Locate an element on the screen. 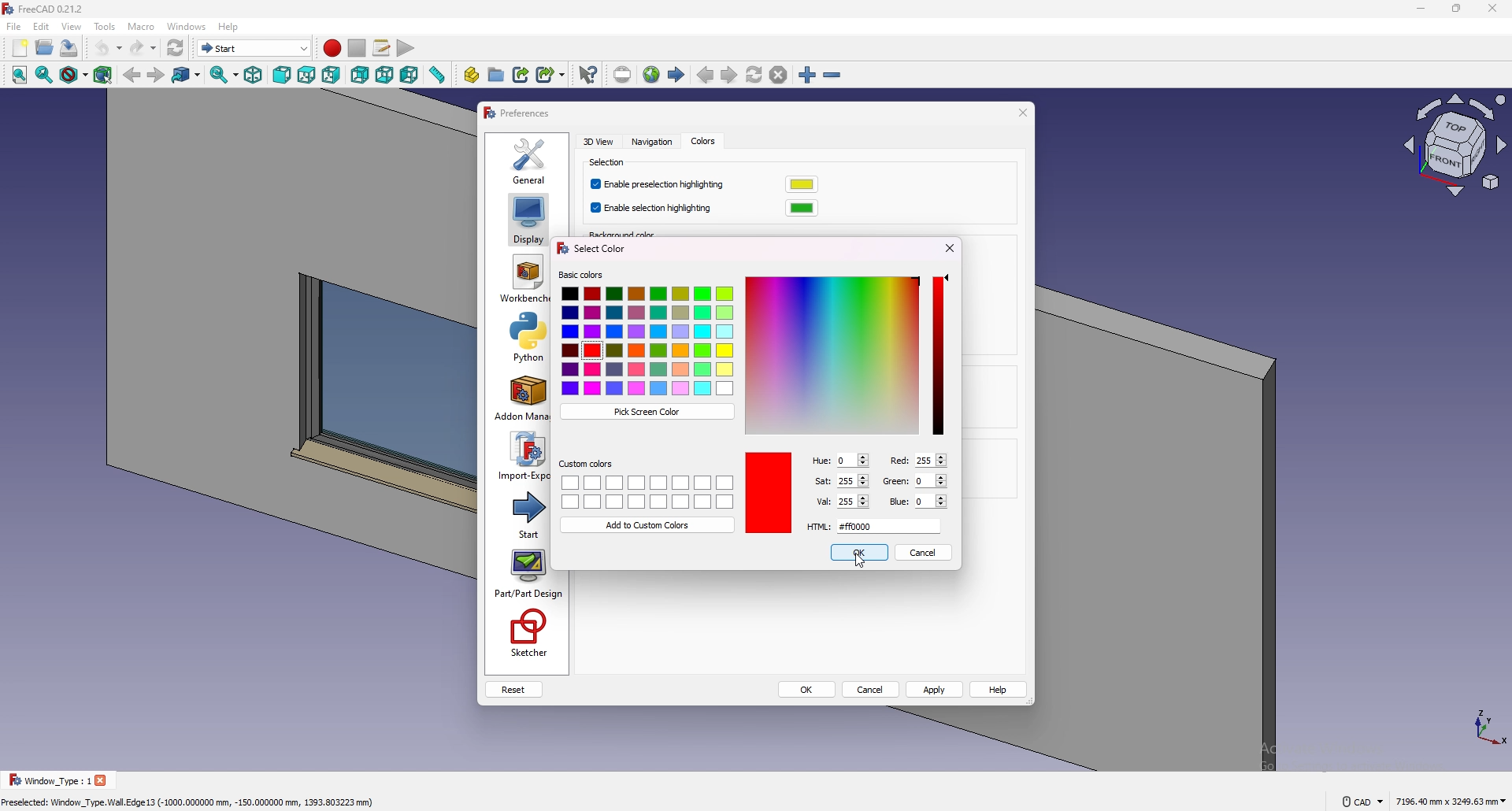 Image resolution: width=1512 pixels, height=811 pixels. help is located at coordinates (228, 27).